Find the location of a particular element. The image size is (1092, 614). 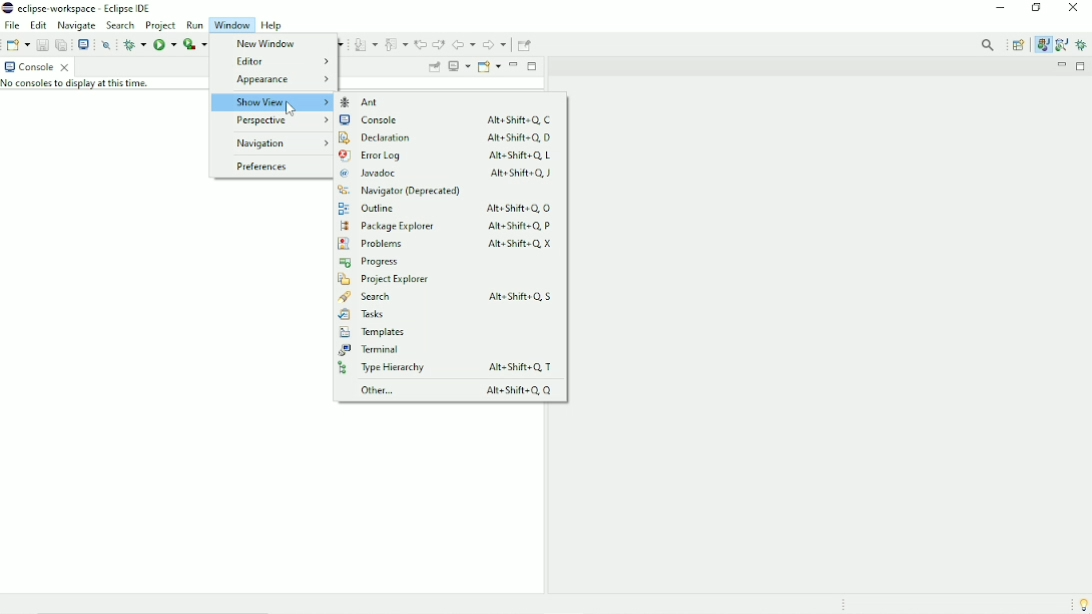

Save all is located at coordinates (60, 44).